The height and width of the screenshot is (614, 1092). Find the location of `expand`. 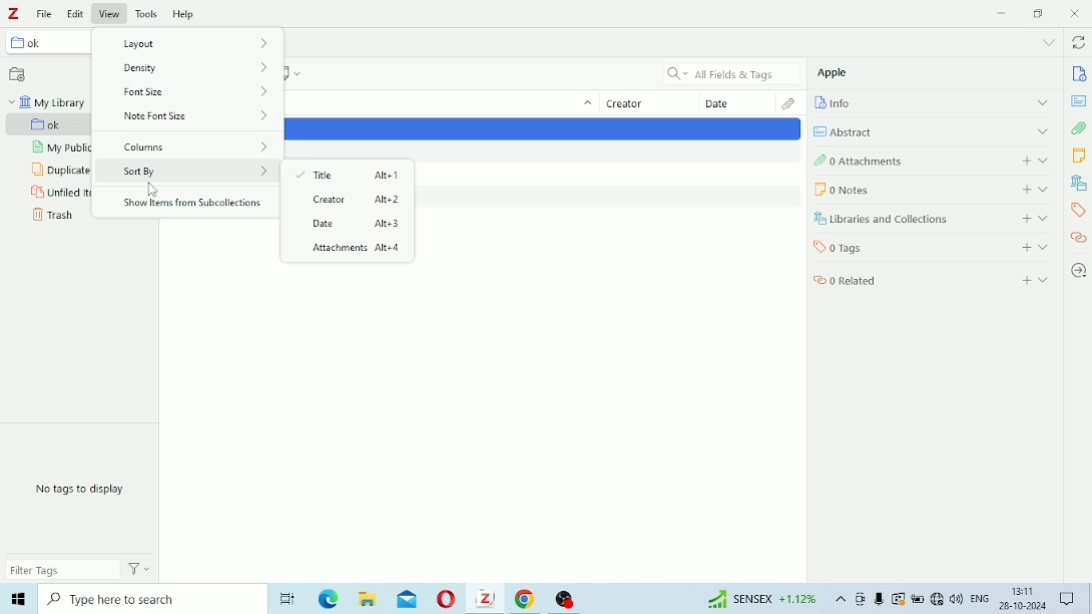

expand is located at coordinates (1045, 132).